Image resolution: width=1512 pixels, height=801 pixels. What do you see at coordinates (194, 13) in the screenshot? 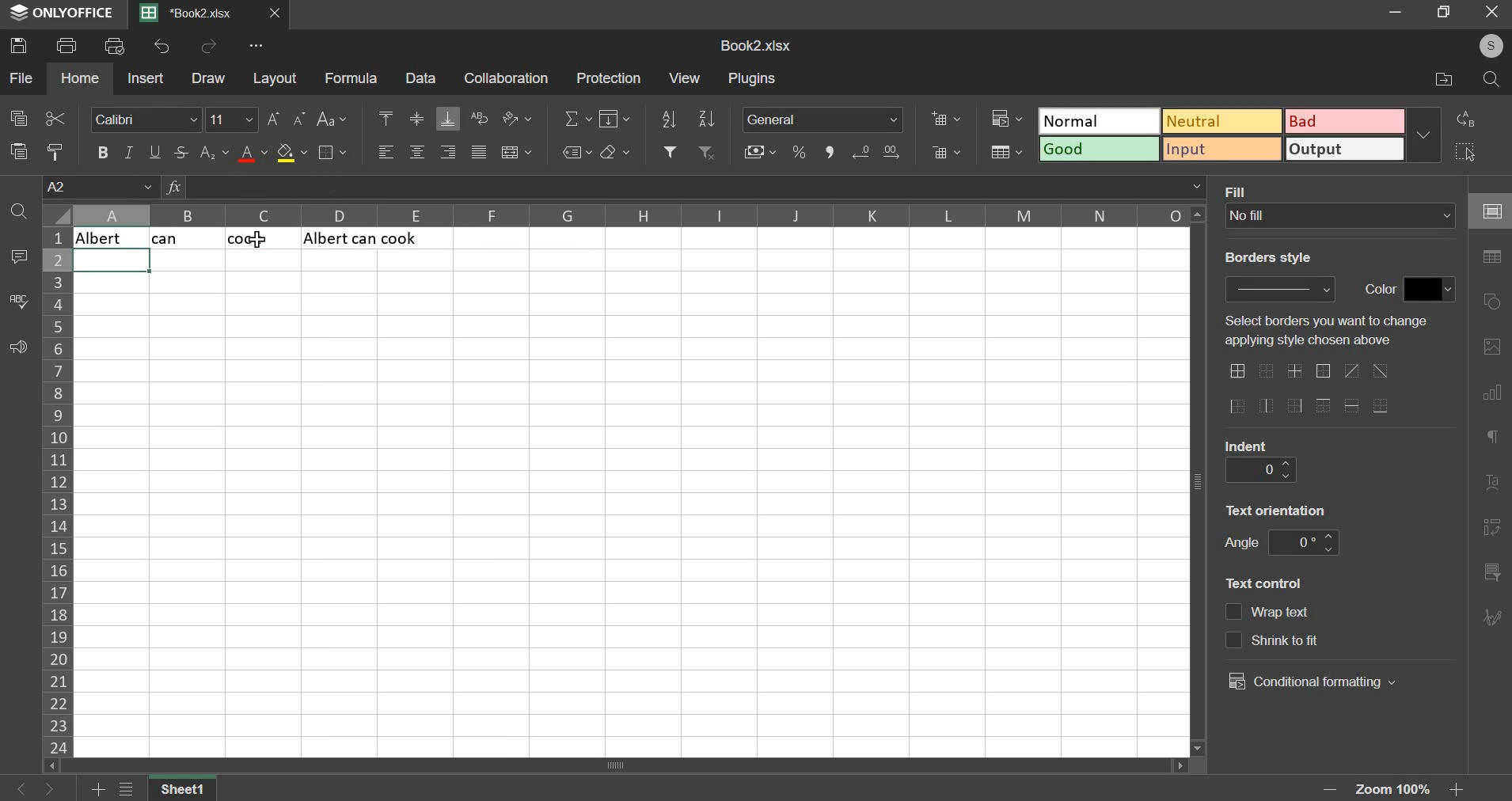
I see `Current sheets` at bounding box center [194, 13].